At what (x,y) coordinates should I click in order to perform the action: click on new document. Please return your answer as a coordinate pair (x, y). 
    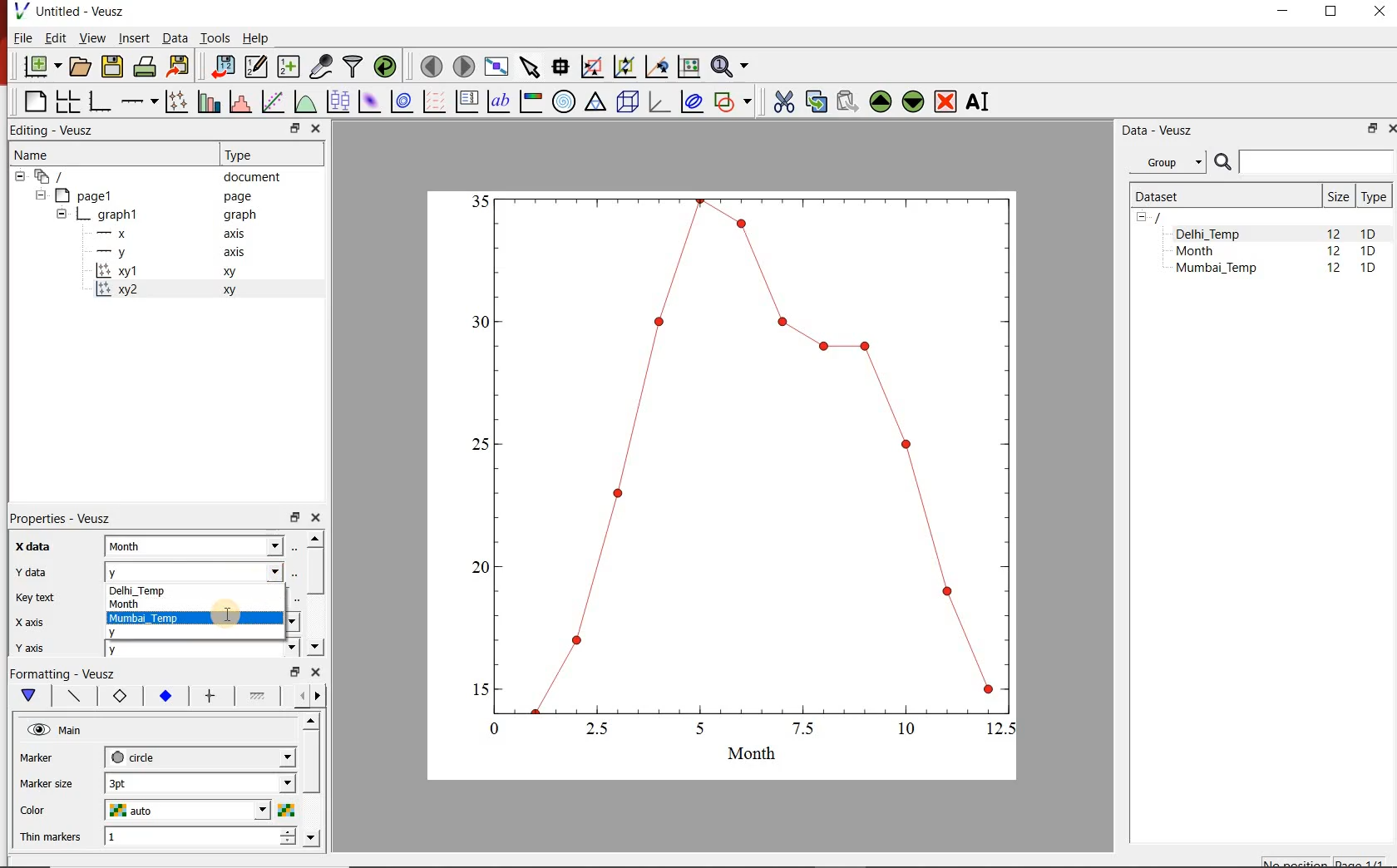
    Looking at the image, I should click on (41, 67).